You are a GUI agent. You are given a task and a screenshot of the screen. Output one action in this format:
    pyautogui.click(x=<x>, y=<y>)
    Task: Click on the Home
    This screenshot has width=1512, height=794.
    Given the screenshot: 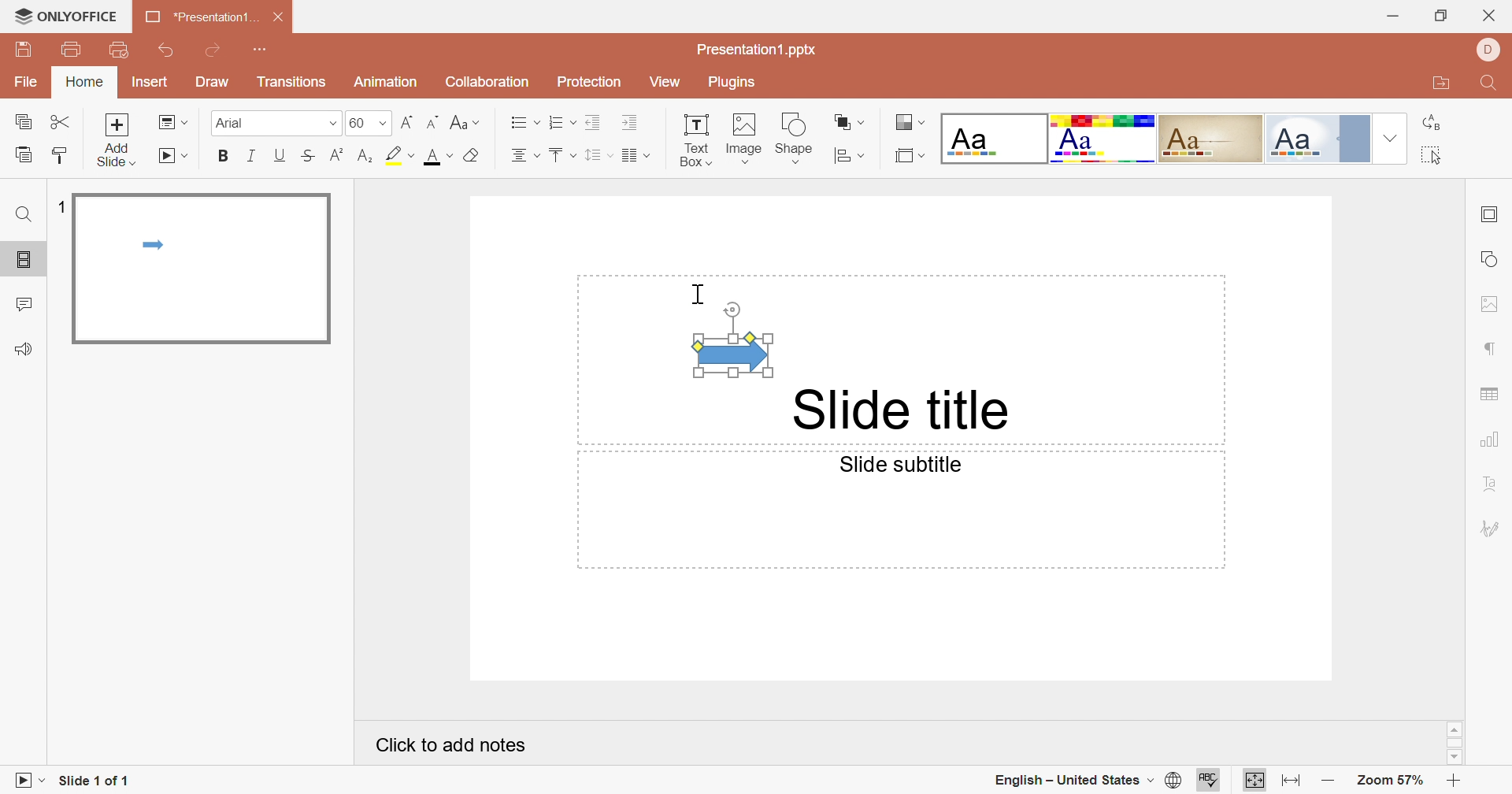 What is the action you would take?
    pyautogui.click(x=83, y=81)
    